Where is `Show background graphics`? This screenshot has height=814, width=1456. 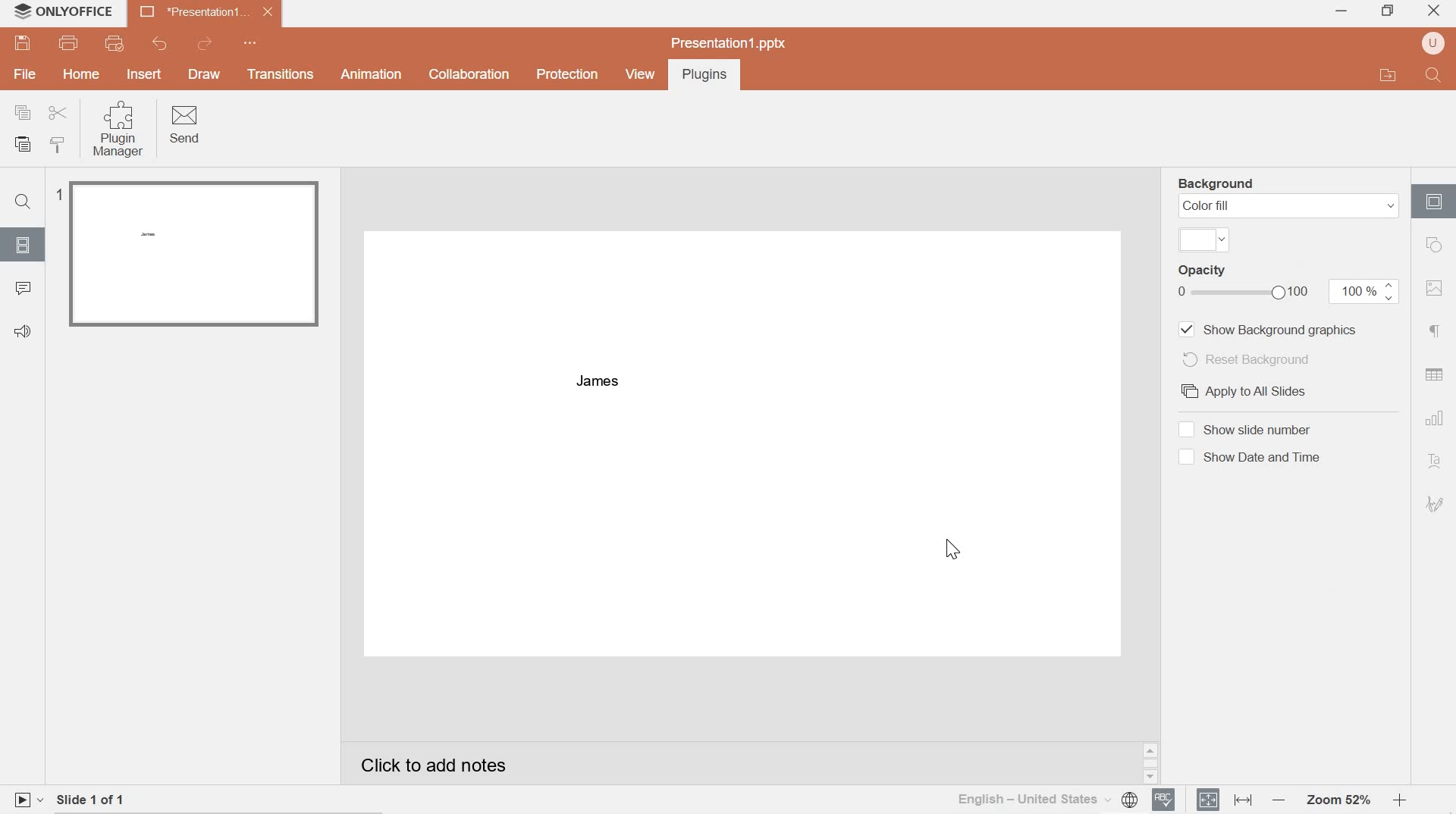
Show background graphics is located at coordinates (1268, 330).